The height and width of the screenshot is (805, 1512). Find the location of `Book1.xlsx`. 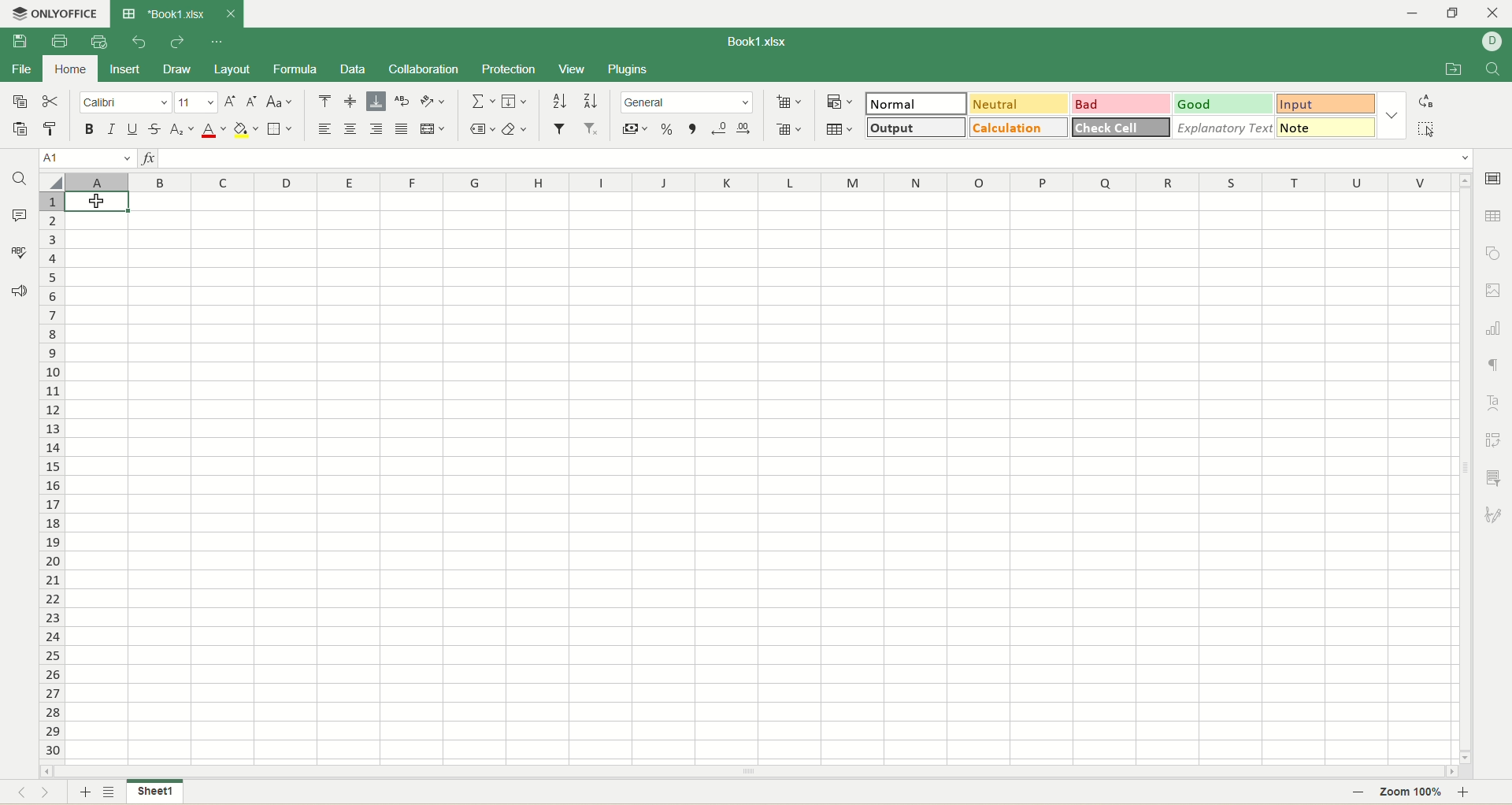

Book1.xlsx is located at coordinates (163, 14).